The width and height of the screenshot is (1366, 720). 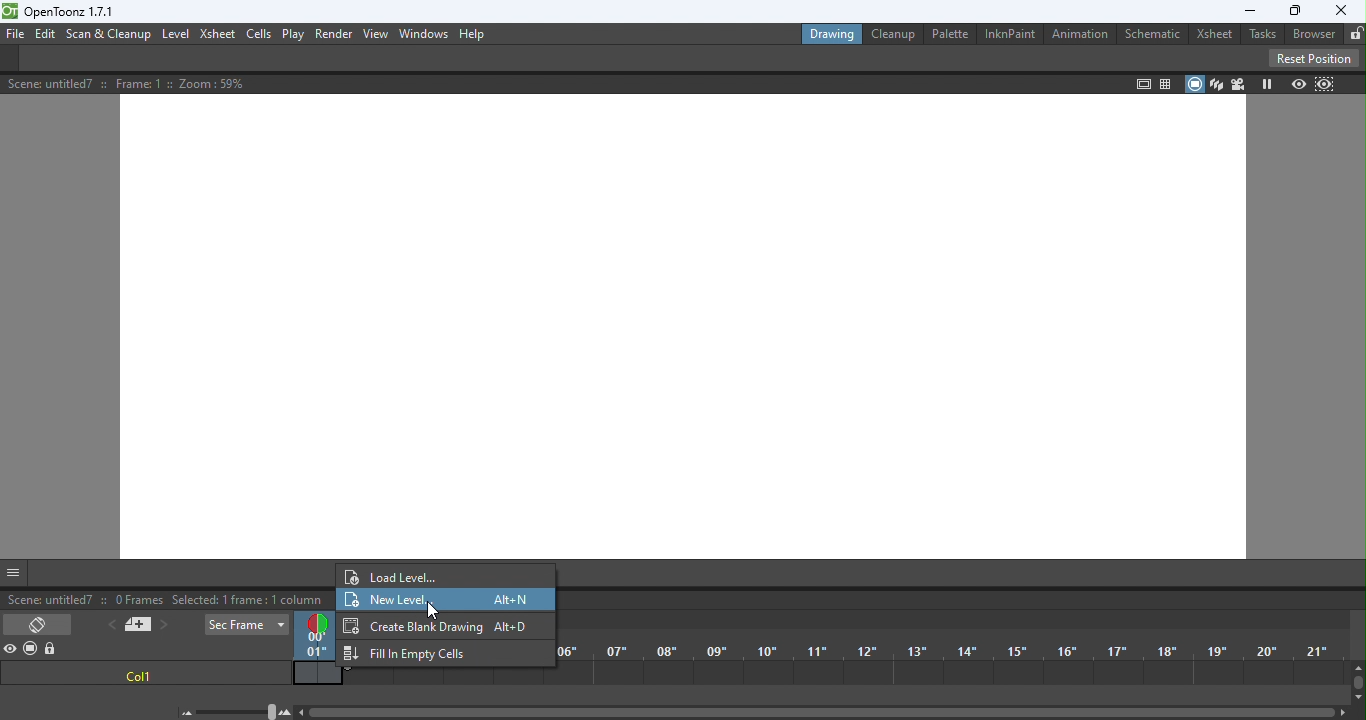 What do you see at coordinates (827, 711) in the screenshot?
I see `Horizontal scroll bar` at bounding box center [827, 711].